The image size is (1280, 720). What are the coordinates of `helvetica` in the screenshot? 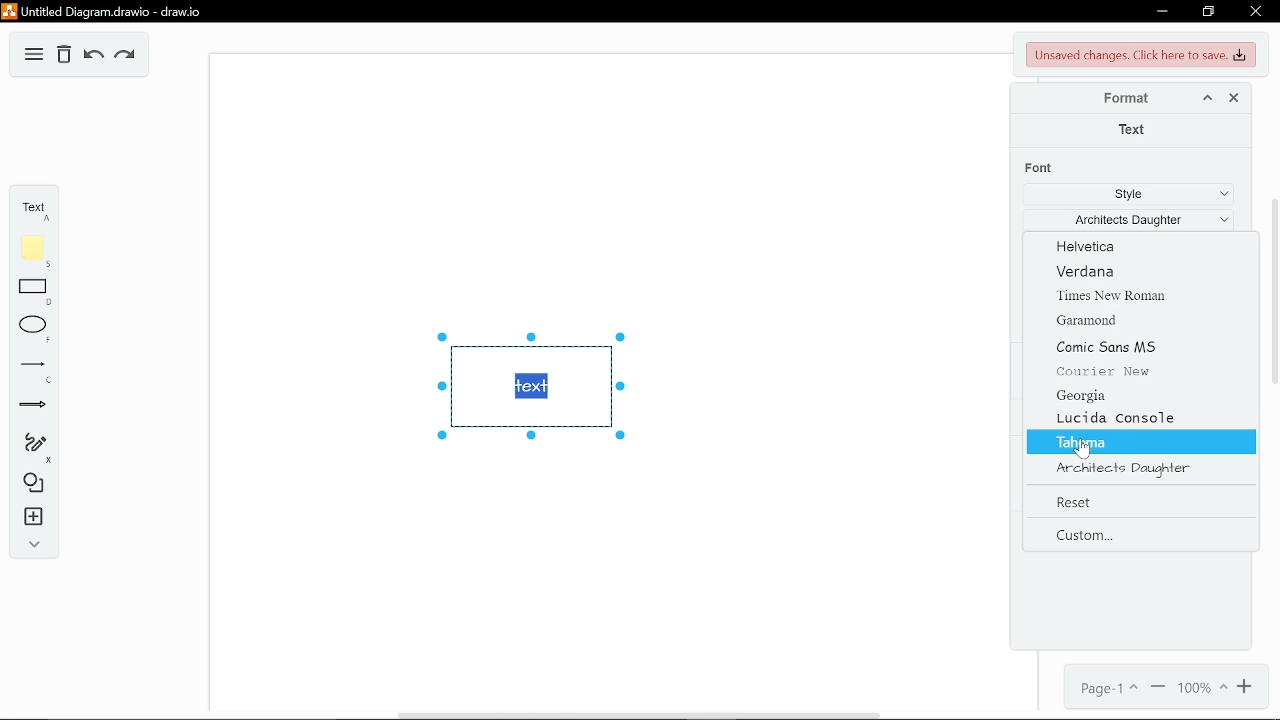 It's located at (1134, 247).